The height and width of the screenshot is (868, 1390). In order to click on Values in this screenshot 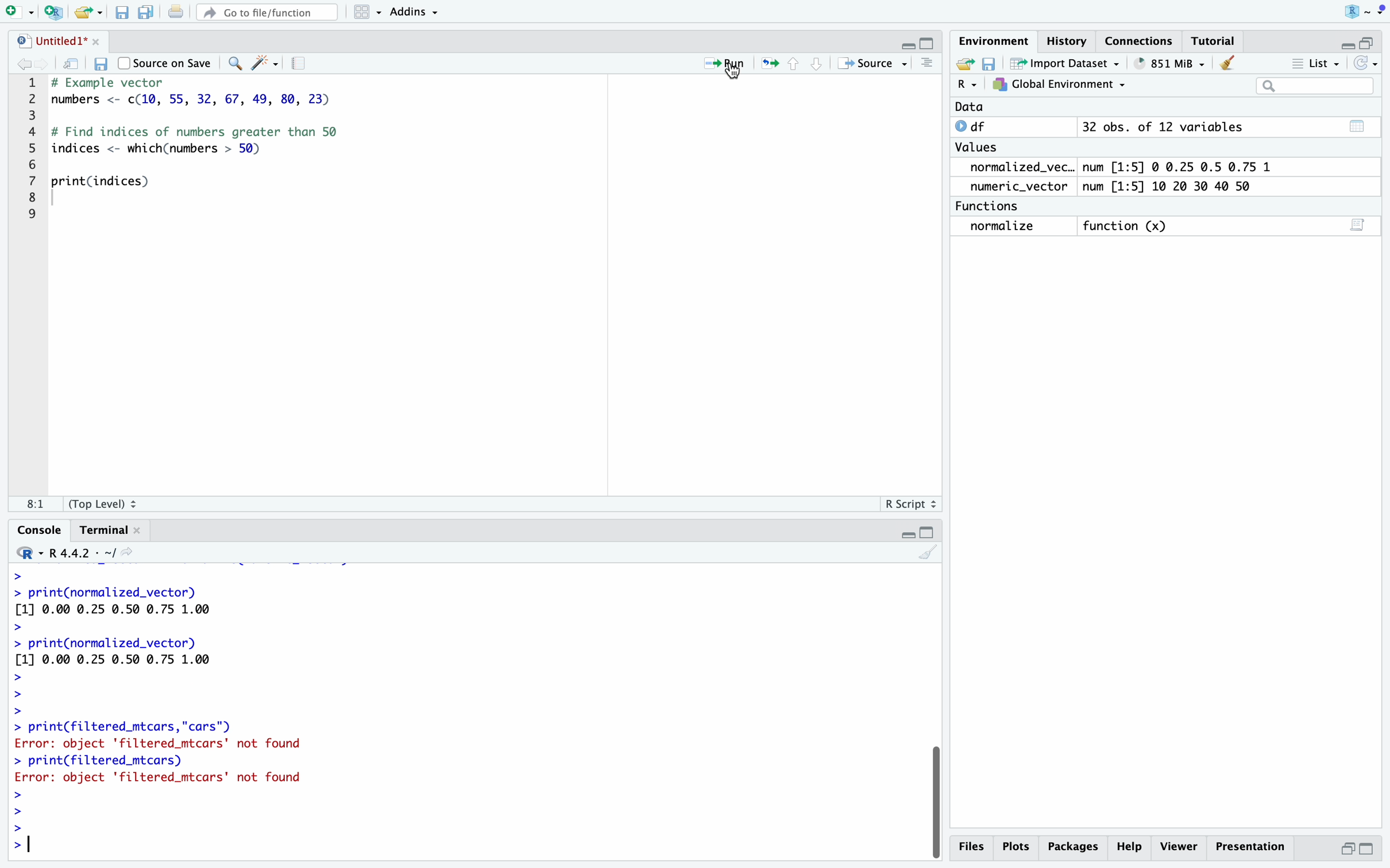, I will do `click(980, 149)`.